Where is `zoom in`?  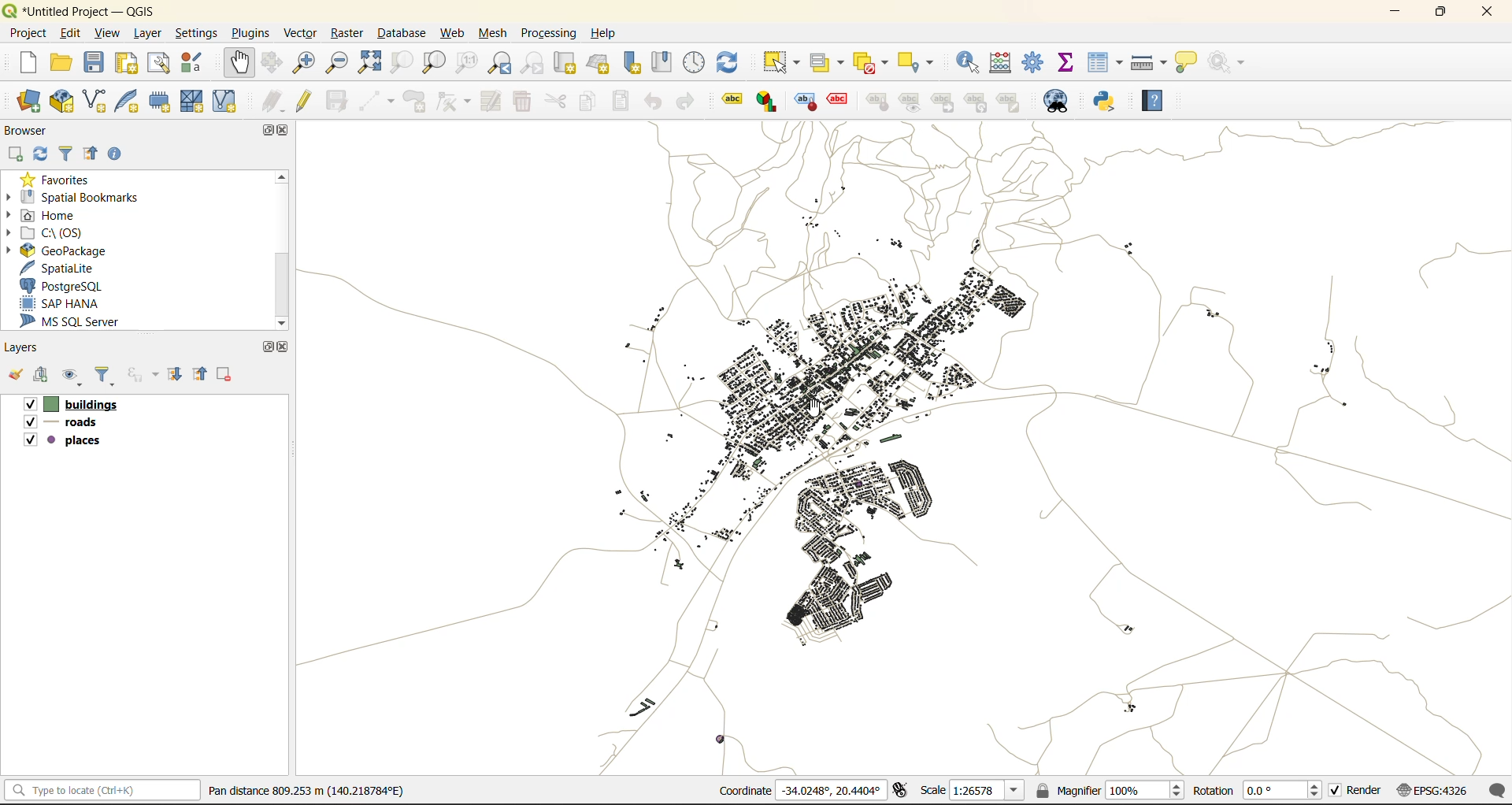
zoom in is located at coordinates (308, 63).